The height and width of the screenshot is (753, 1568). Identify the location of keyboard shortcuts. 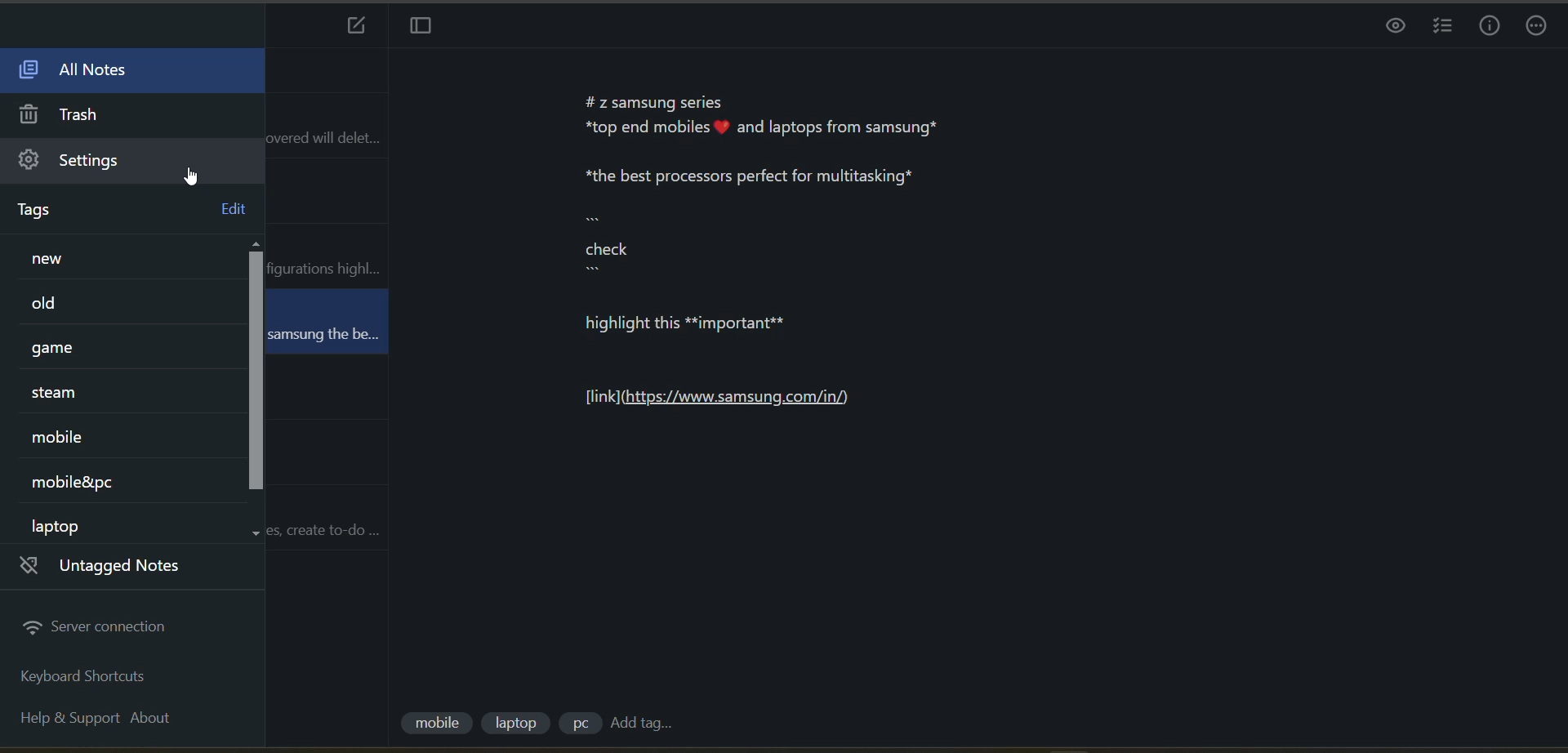
(89, 679).